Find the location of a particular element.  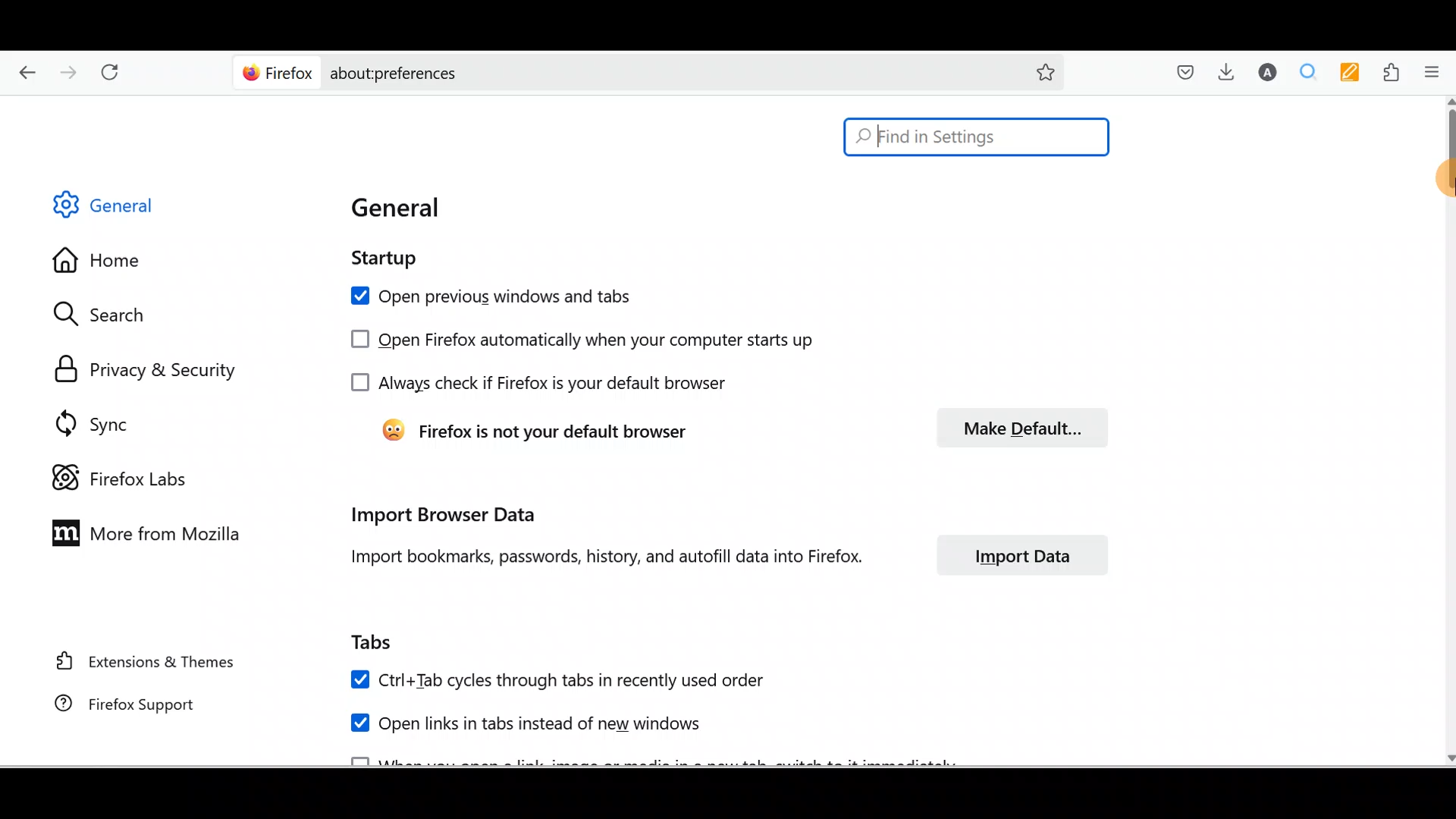

Bookmark this page is located at coordinates (1046, 71).